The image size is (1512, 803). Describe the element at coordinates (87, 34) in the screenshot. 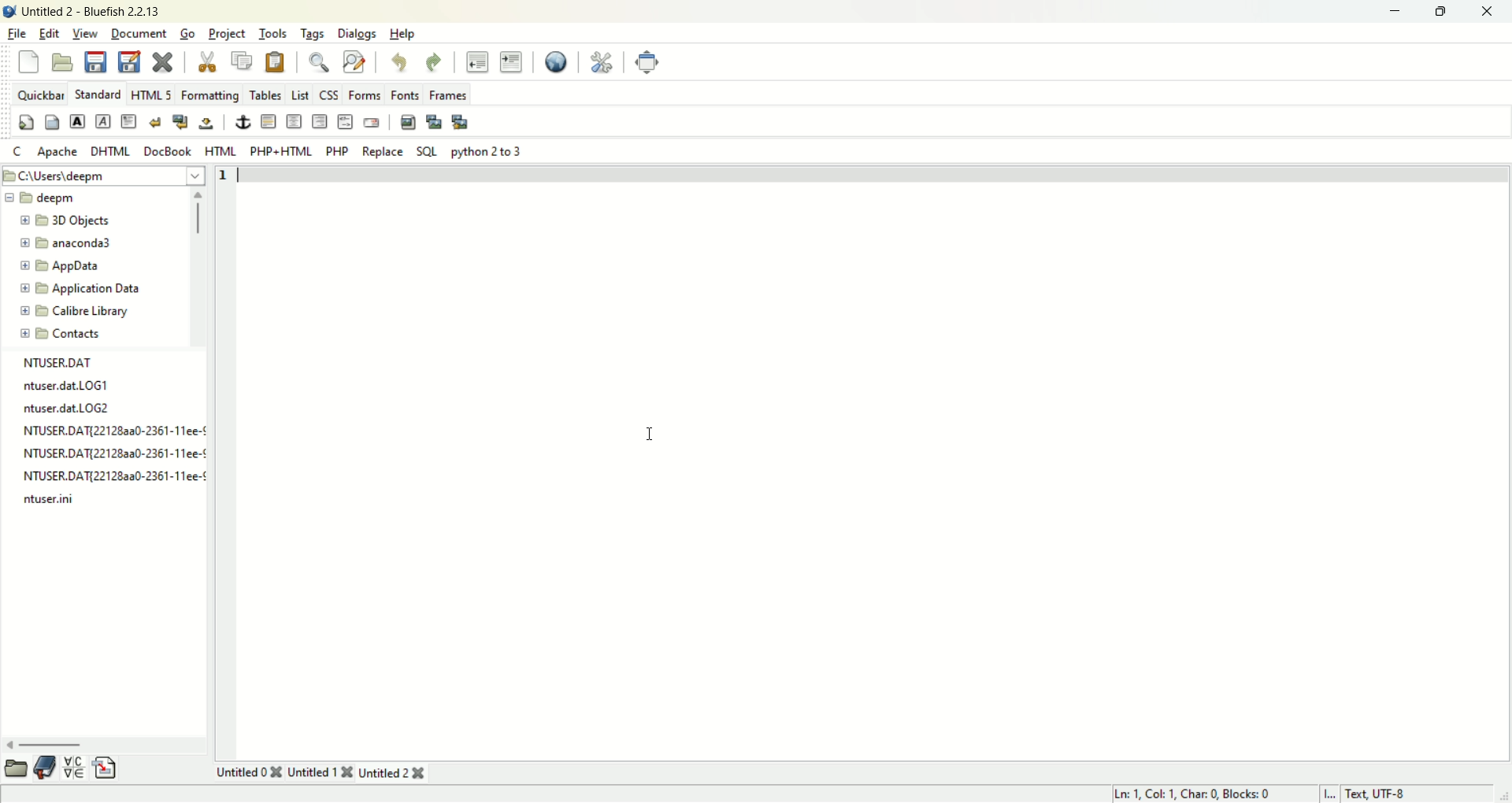

I see `view` at that location.